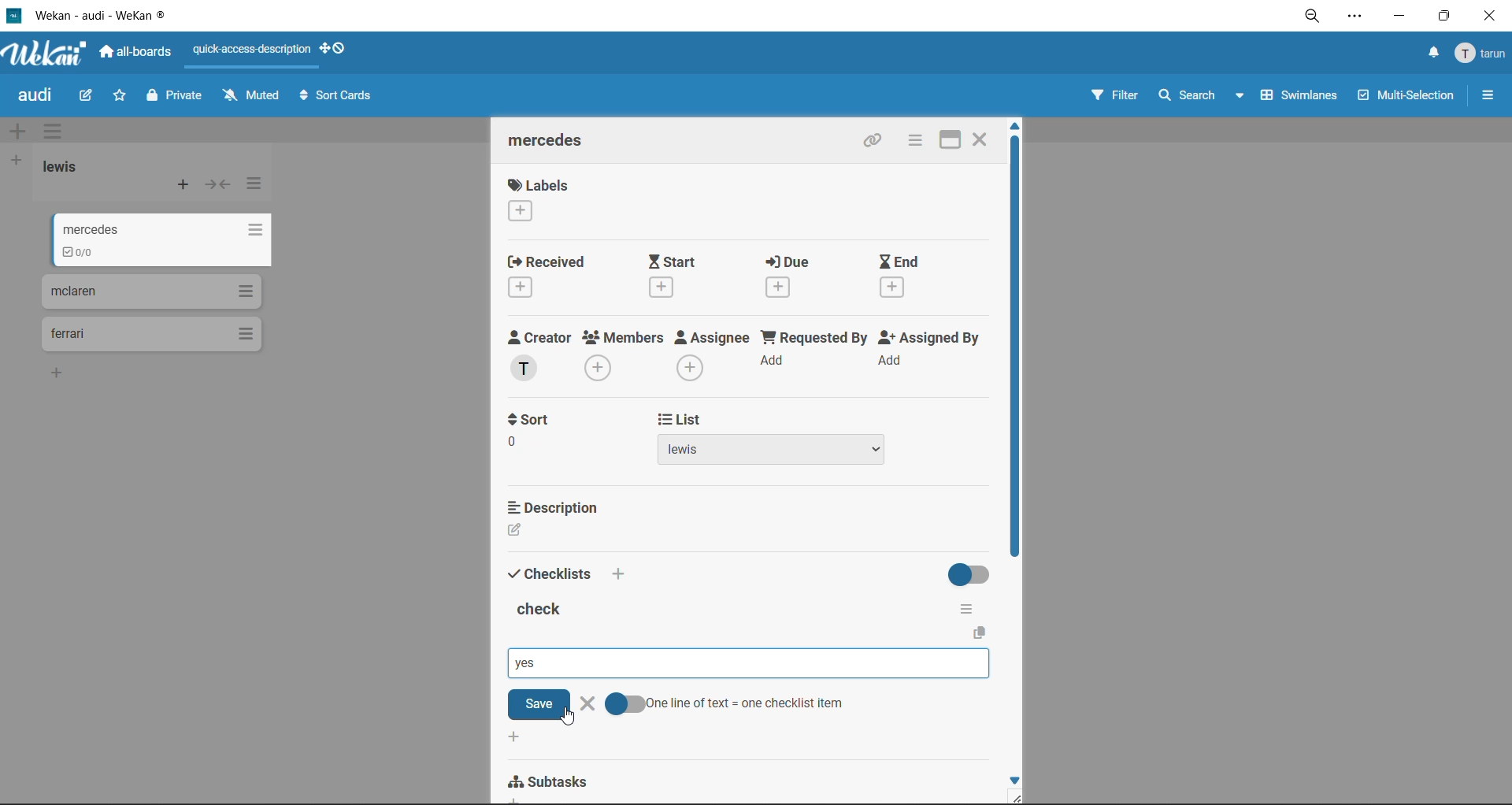  I want to click on list title, so click(67, 167).